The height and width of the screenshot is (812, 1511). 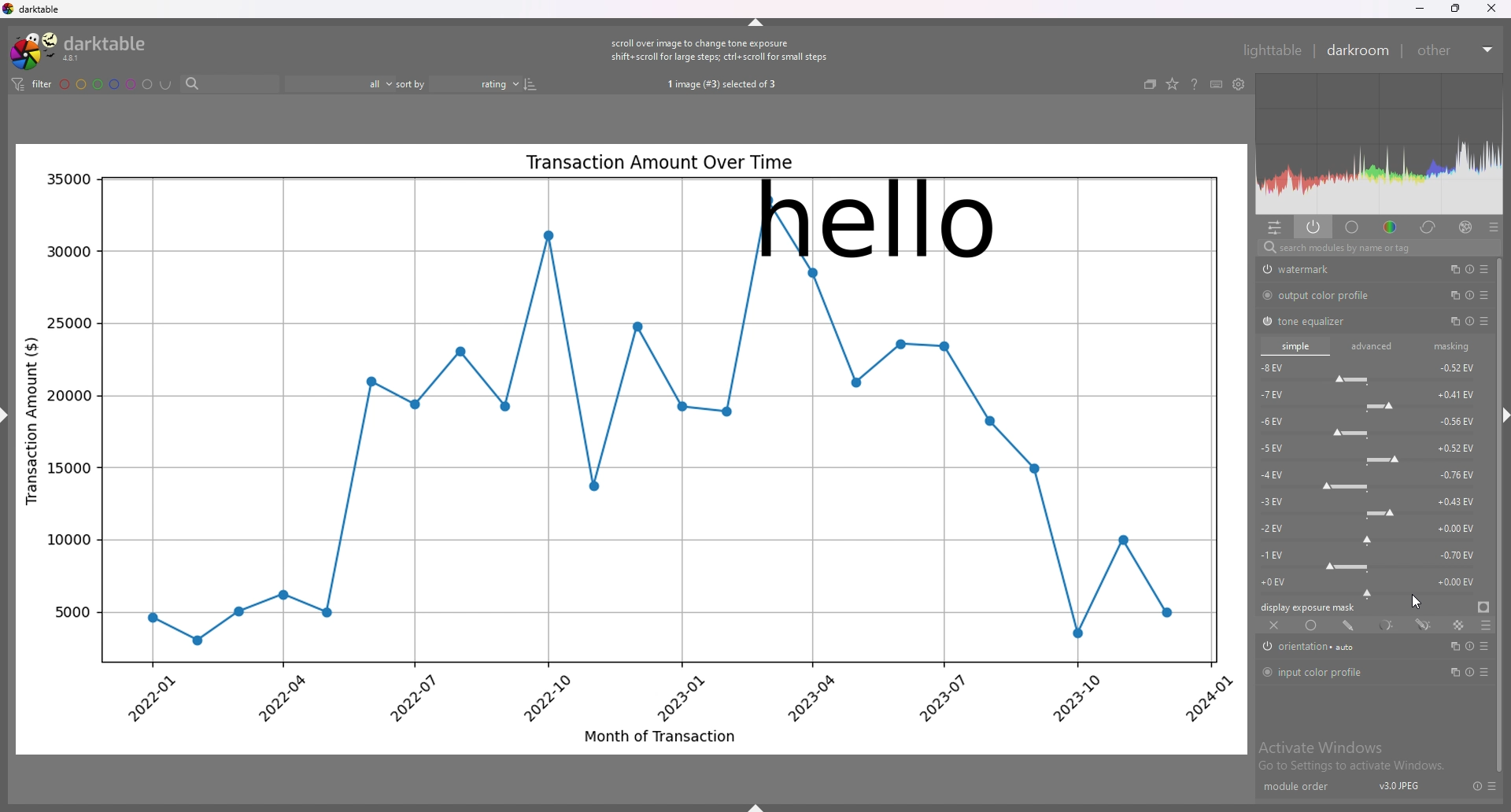 What do you see at coordinates (1506, 417) in the screenshot?
I see `hide sidebar` at bounding box center [1506, 417].